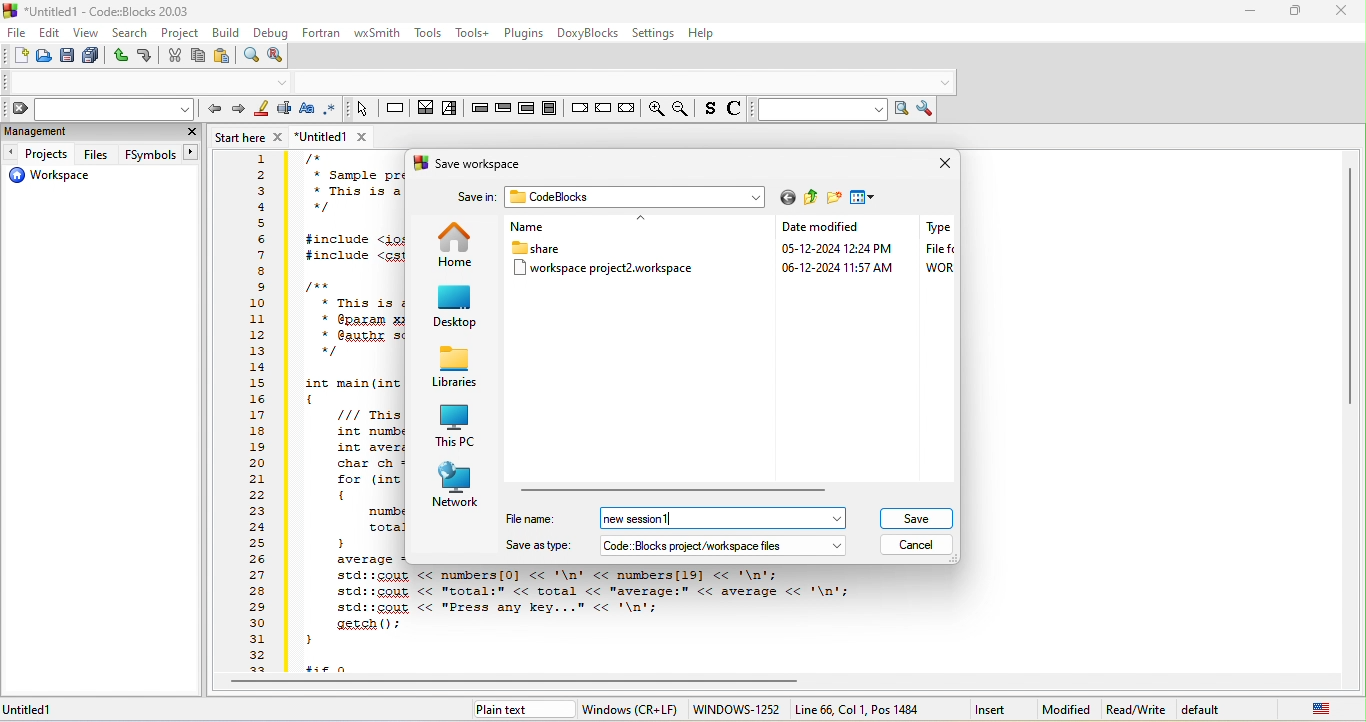 The width and height of the screenshot is (1366, 722). Describe the element at coordinates (454, 242) in the screenshot. I see `home` at that location.